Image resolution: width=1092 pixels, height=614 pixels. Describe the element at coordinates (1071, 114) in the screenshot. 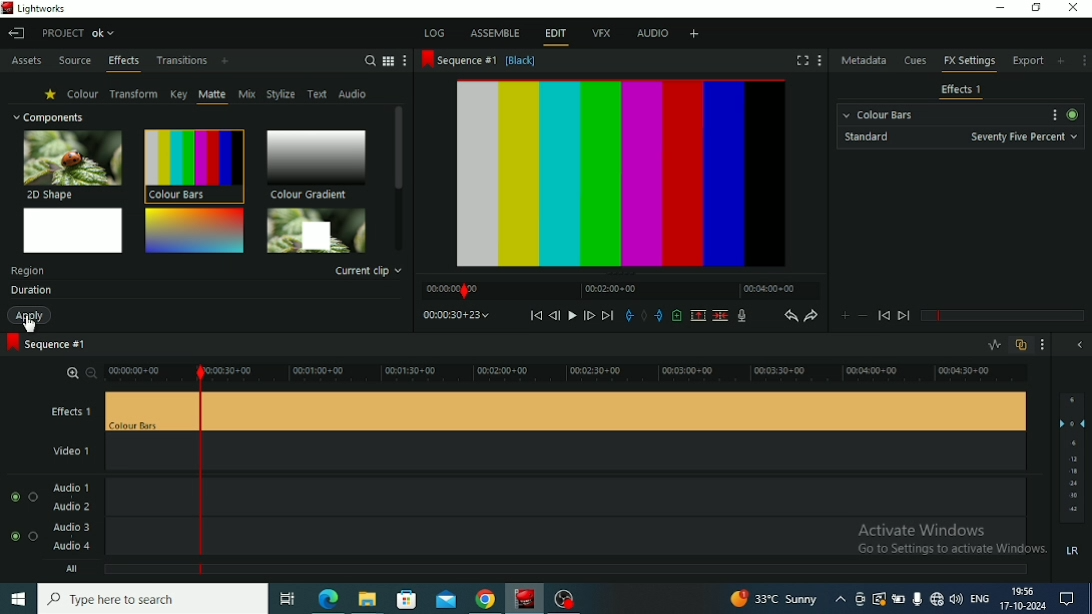

I see `Toggle bypass` at that location.